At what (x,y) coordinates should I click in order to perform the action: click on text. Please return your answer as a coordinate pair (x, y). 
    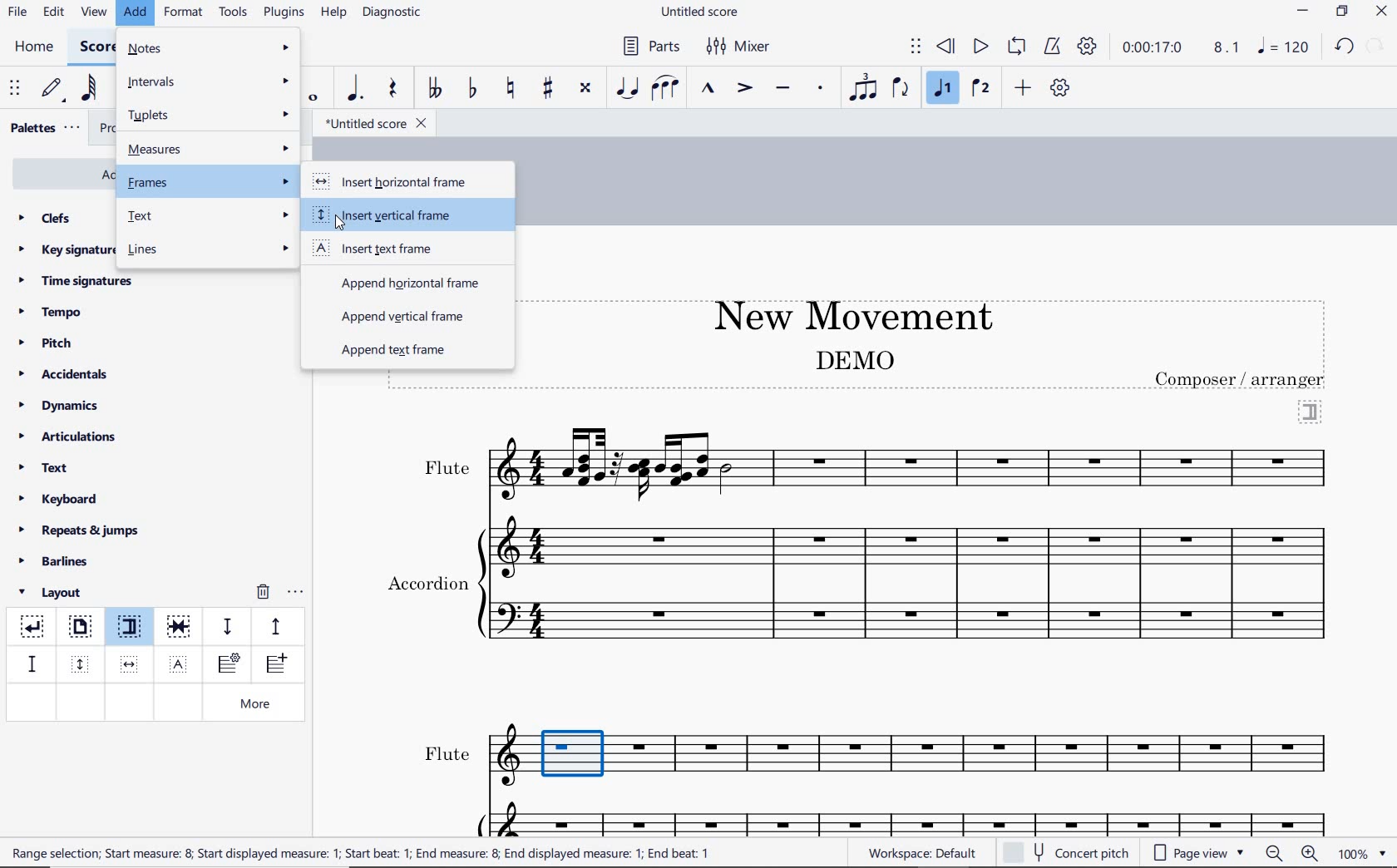
    Looking at the image, I should click on (447, 754).